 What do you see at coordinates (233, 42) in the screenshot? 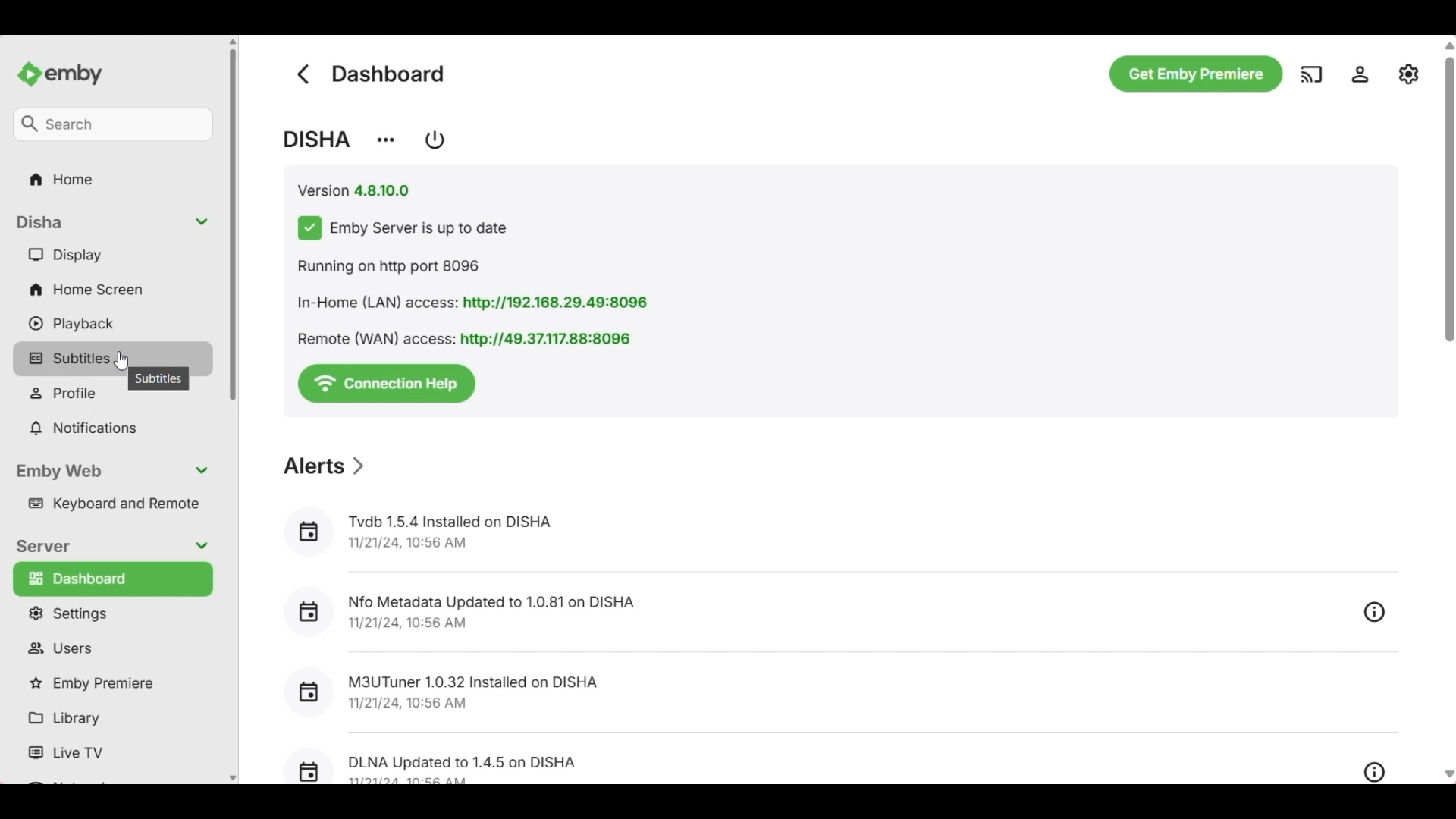
I see `Quick slide to top of left panel` at bounding box center [233, 42].